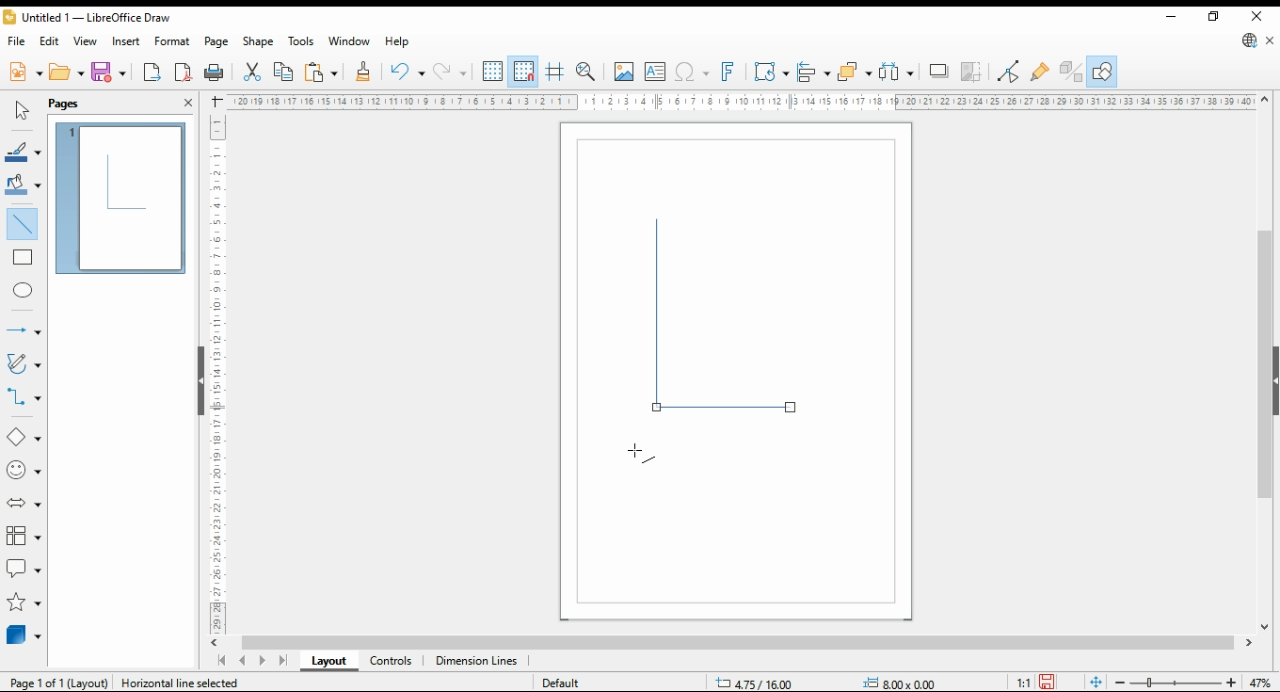  What do you see at coordinates (22, 603) in the screenshot?
I see `stars and banners` at bounding box center [22, 603].